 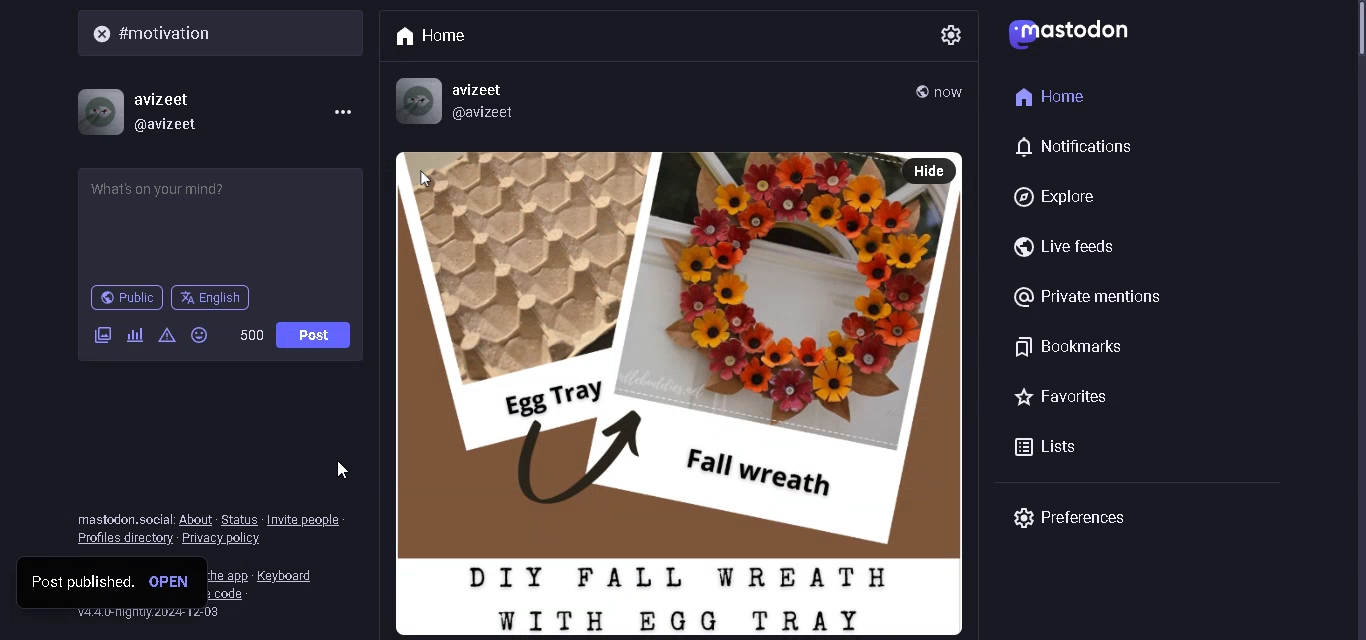 I want to click on settings, so click(x=948, y=31).